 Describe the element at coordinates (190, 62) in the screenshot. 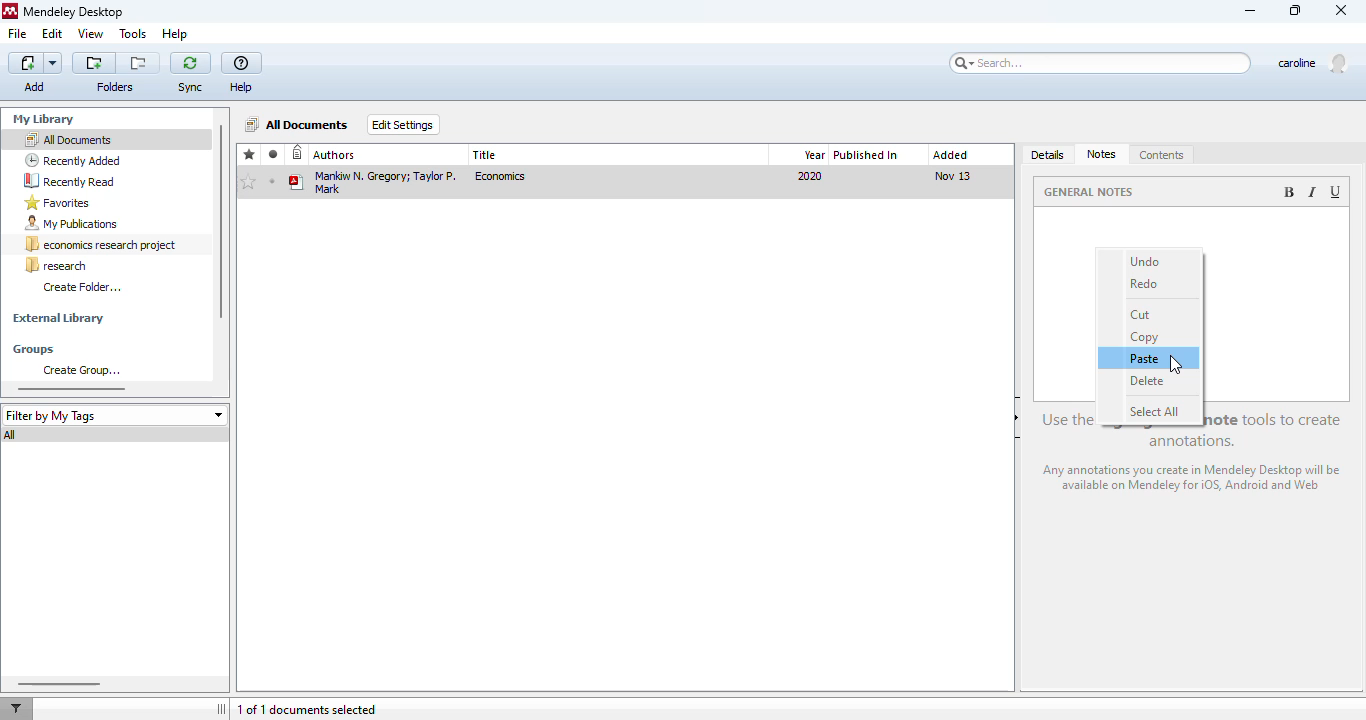

I see `sync` at that location.